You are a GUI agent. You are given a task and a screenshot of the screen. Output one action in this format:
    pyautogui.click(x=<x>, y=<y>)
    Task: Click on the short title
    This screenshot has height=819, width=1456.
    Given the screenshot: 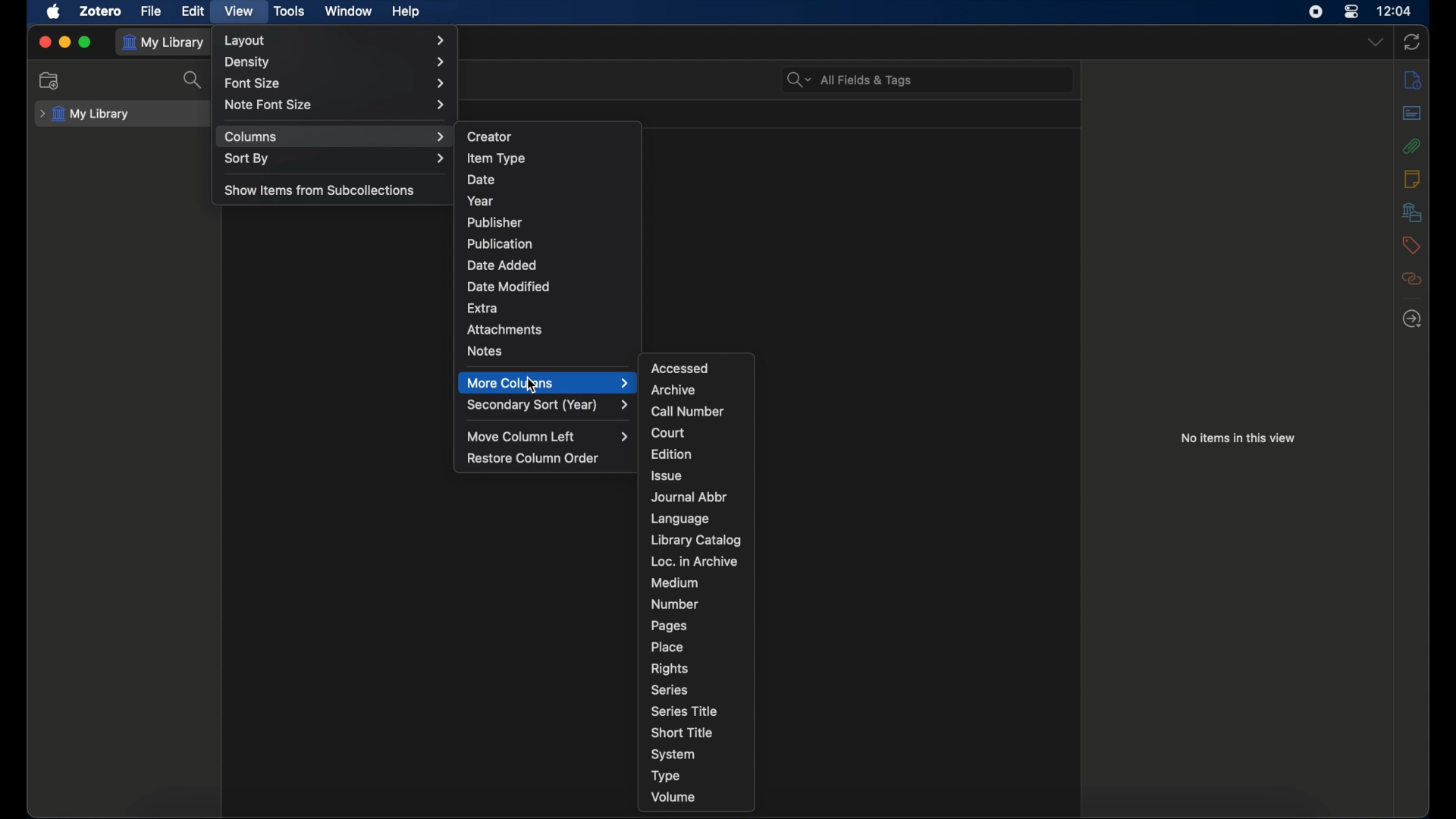 What is the action you would take?
    pyautogui.click(x=682, y=731)
    